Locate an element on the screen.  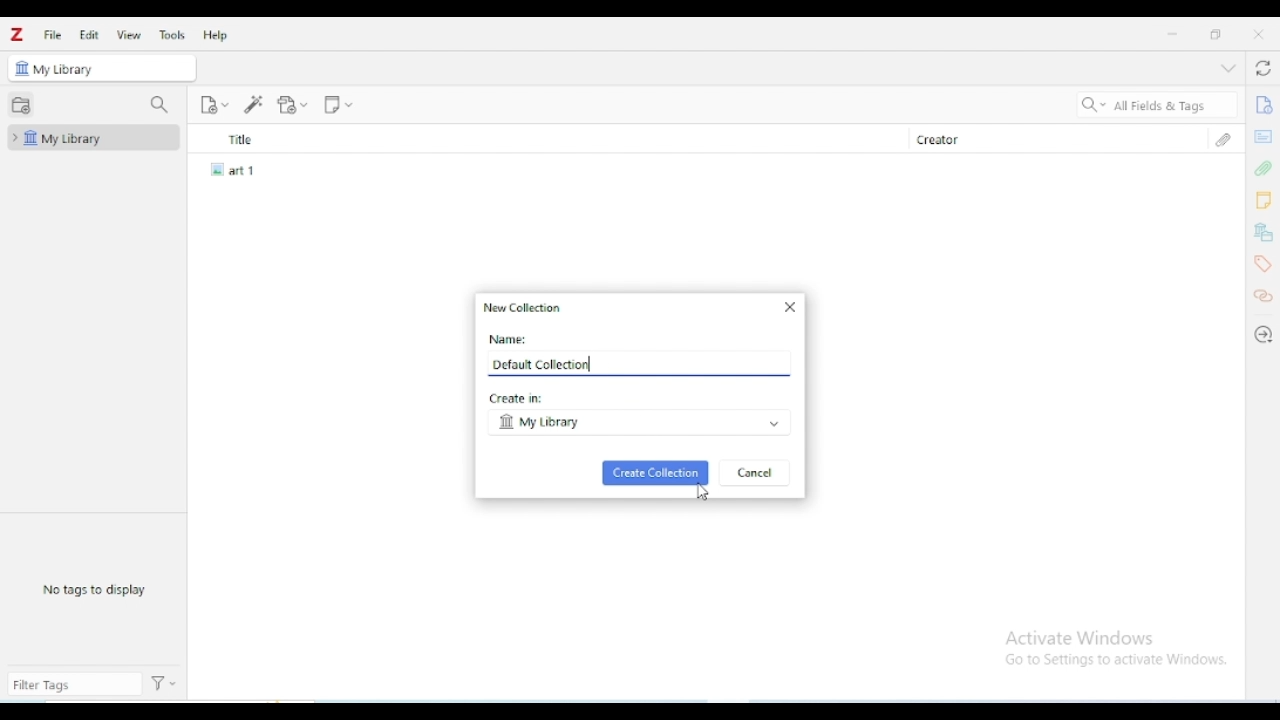
icon is located at coordinates (21, 68).